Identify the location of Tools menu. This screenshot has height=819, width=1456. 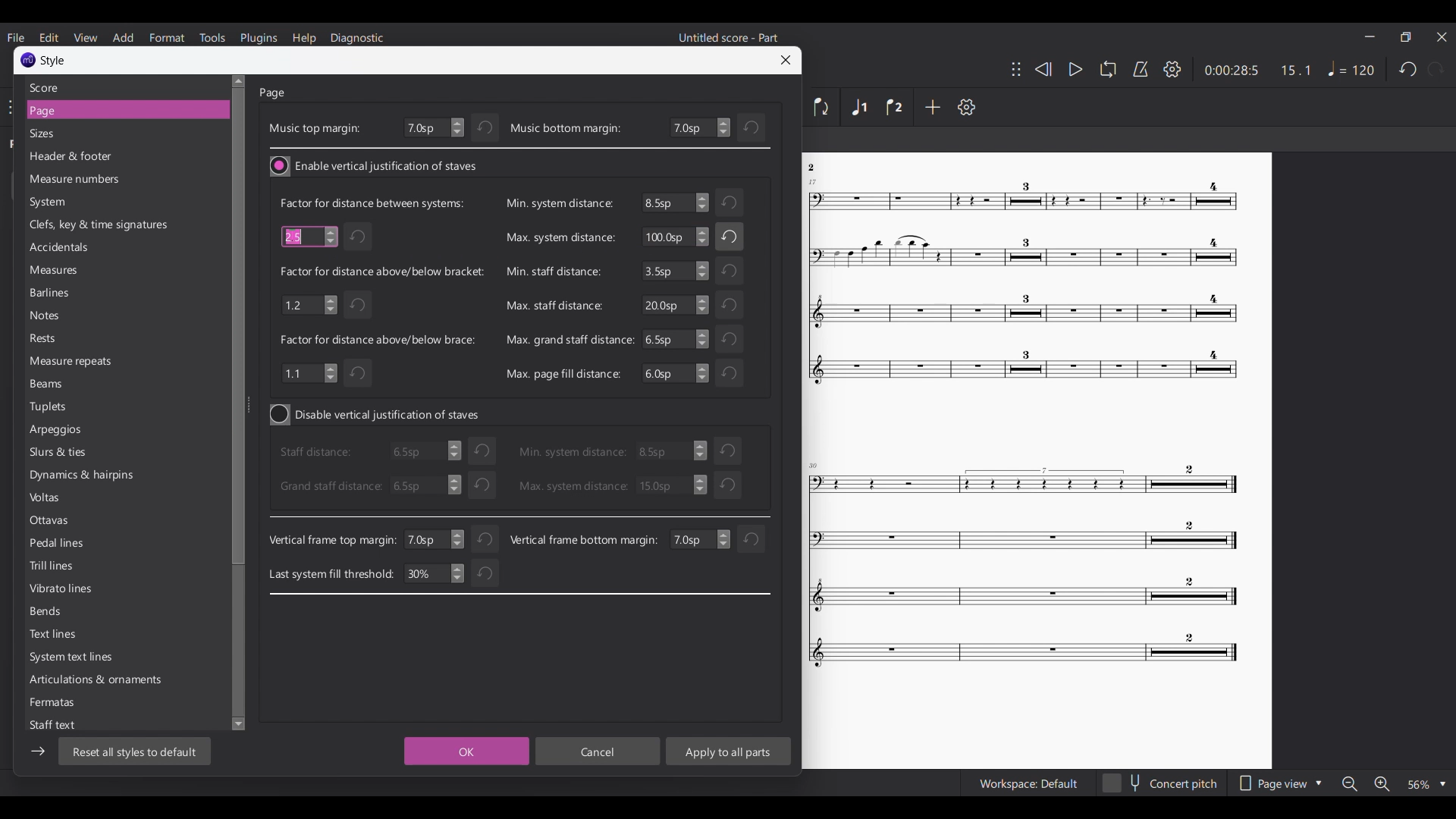
(212, 37).